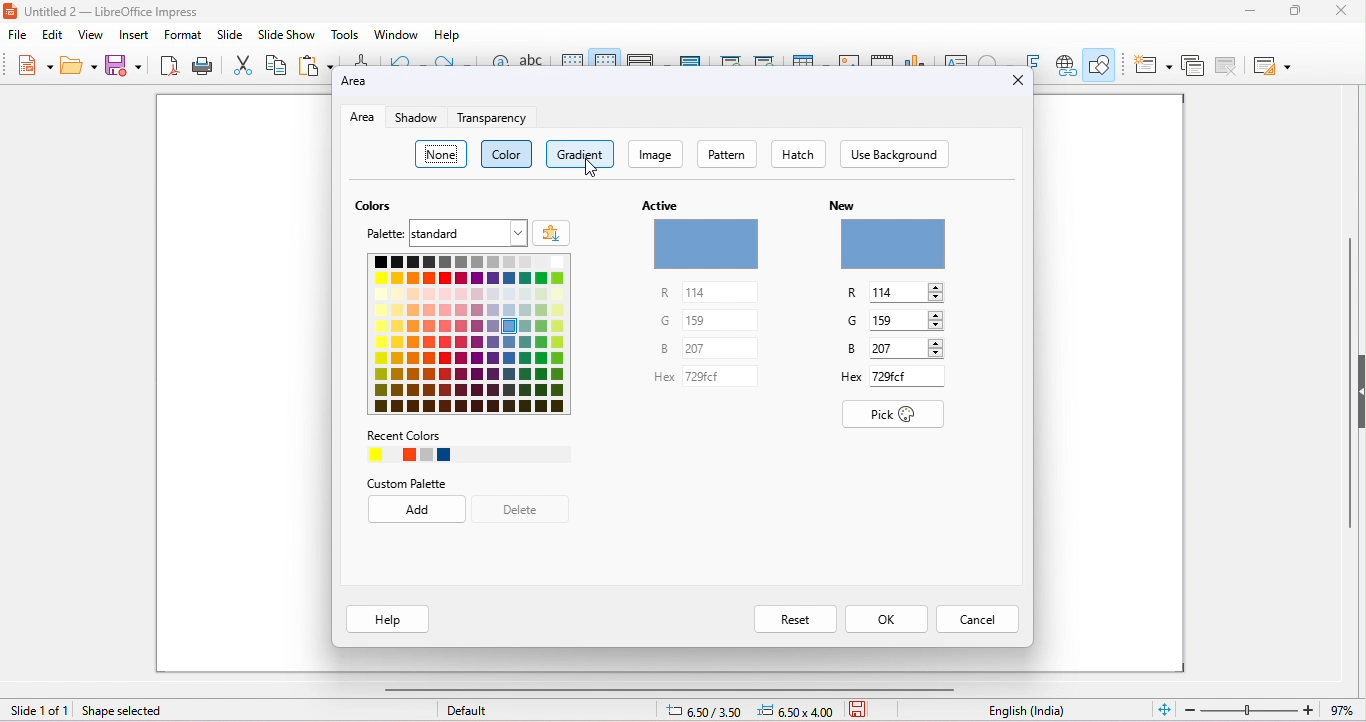 This screenshot has width=1366, height=722. What do you see at coordinates (914, 58) in the screenshot?
I see `insert chart` at bounding box center [914, 58].